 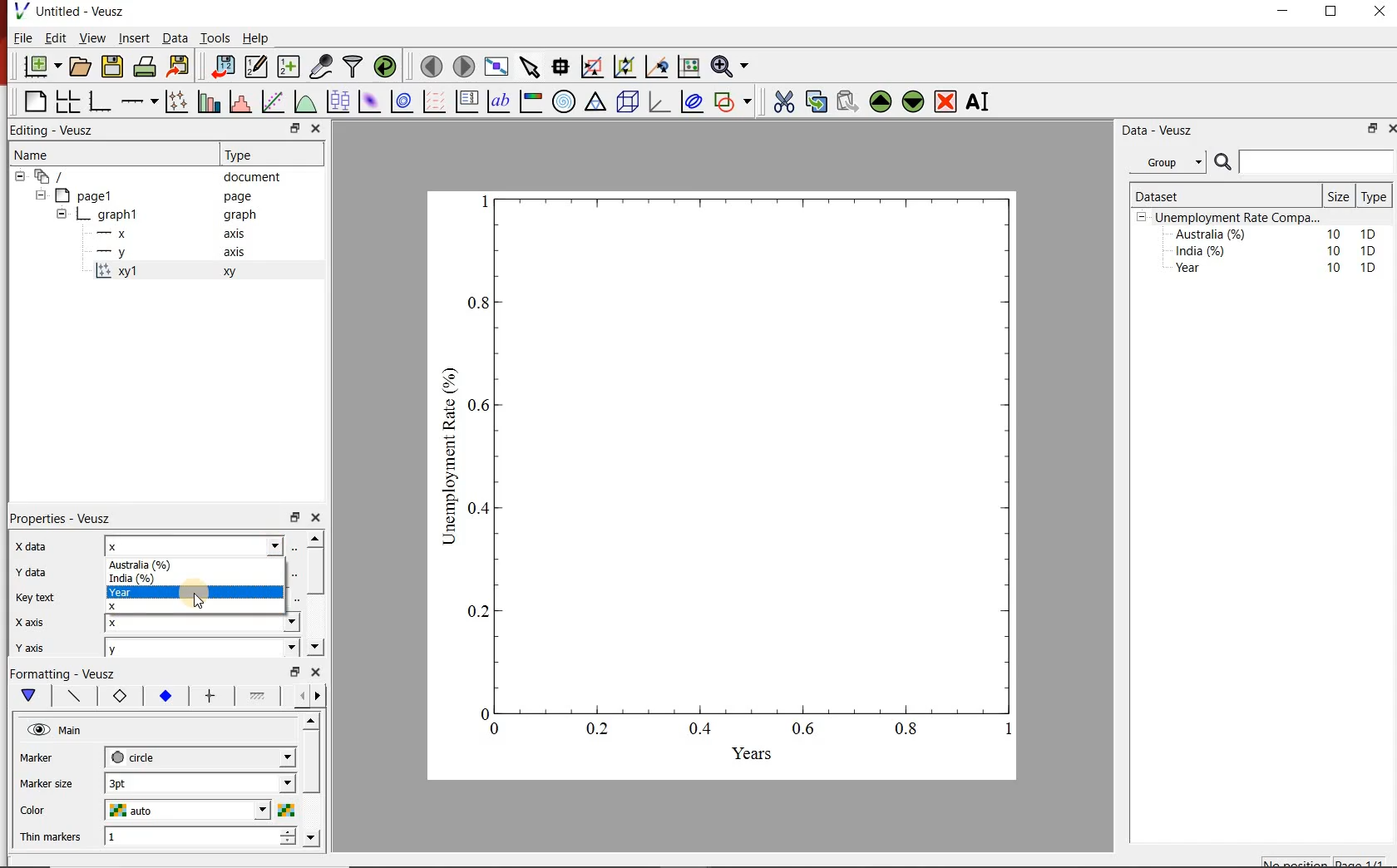 I want to click on View, so click(x=91, y=38).